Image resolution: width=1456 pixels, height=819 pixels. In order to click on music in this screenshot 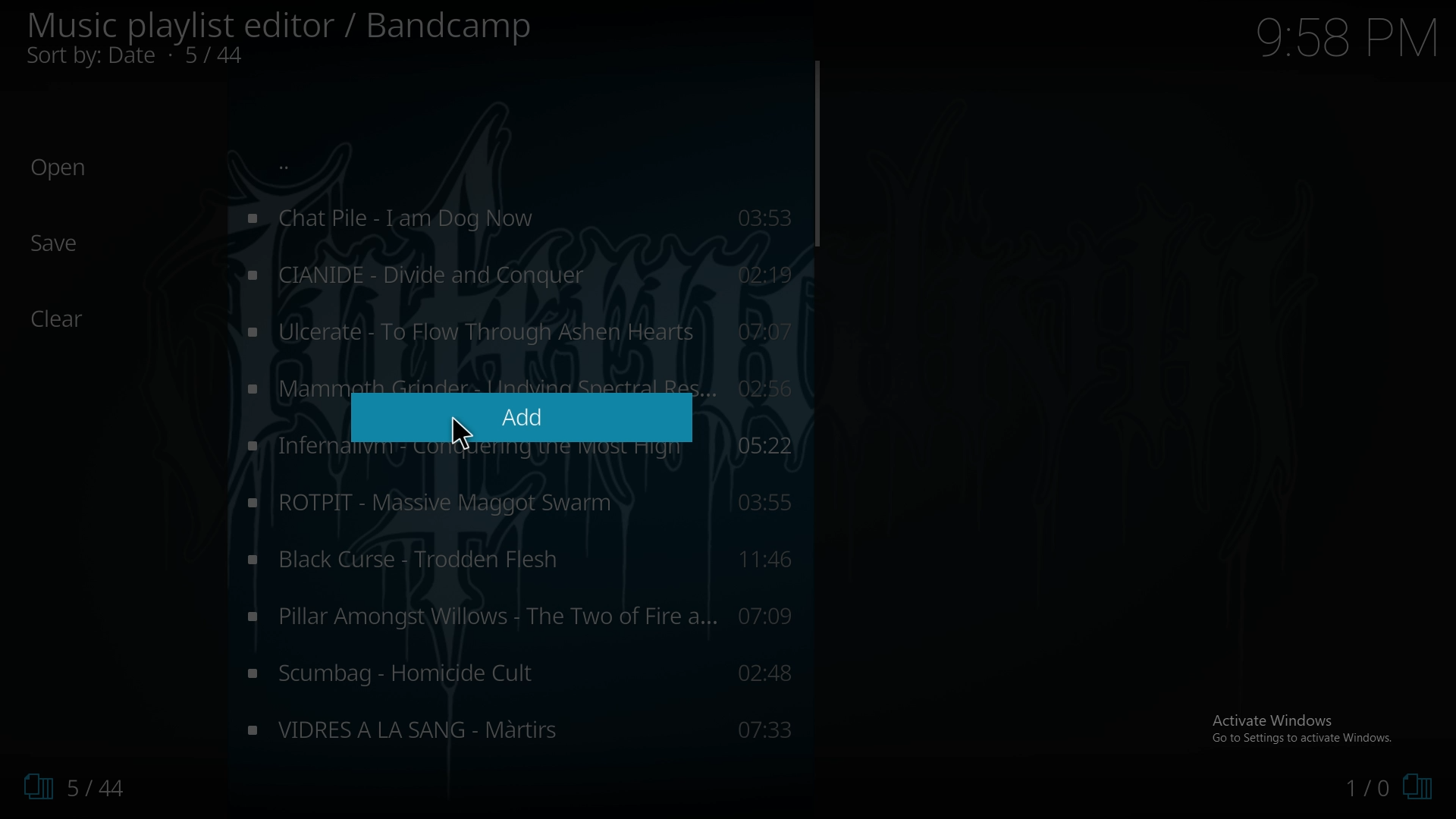, I will do `click(517, 503)`.